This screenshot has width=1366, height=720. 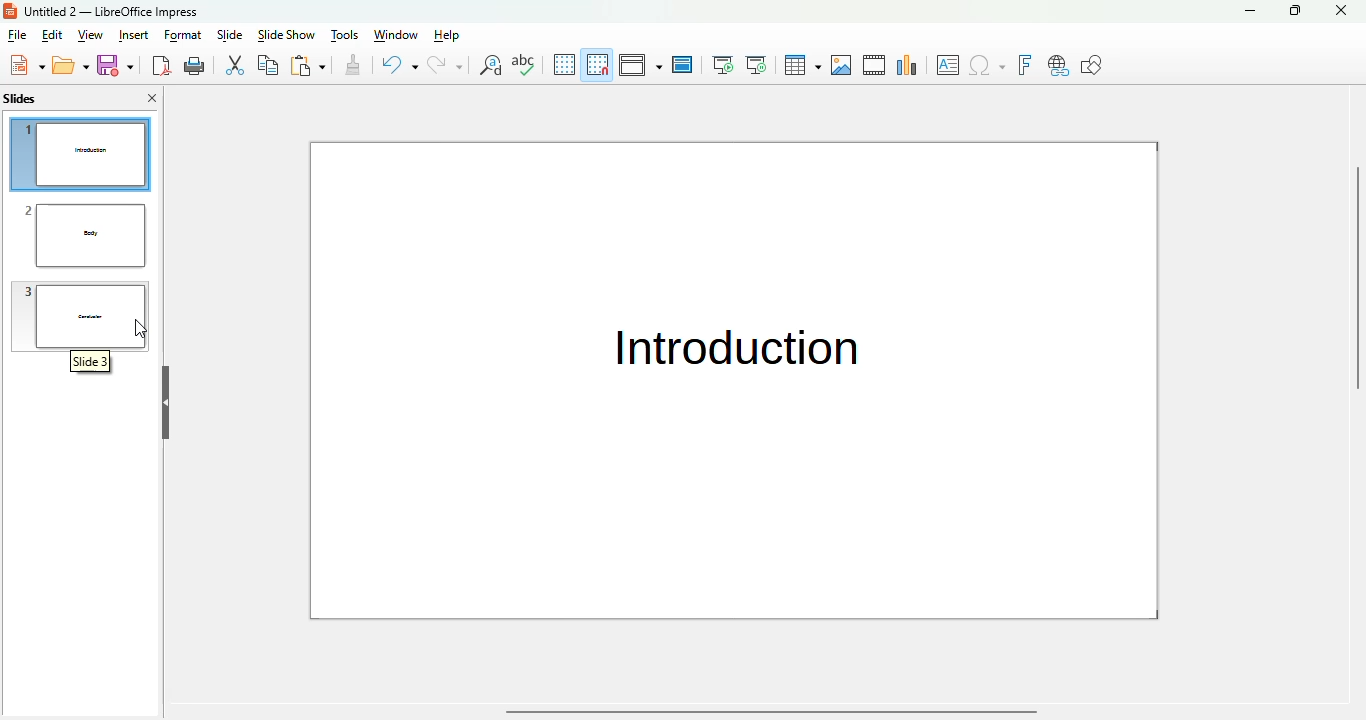 I want to click on cursor, so click(x=140, y=328).